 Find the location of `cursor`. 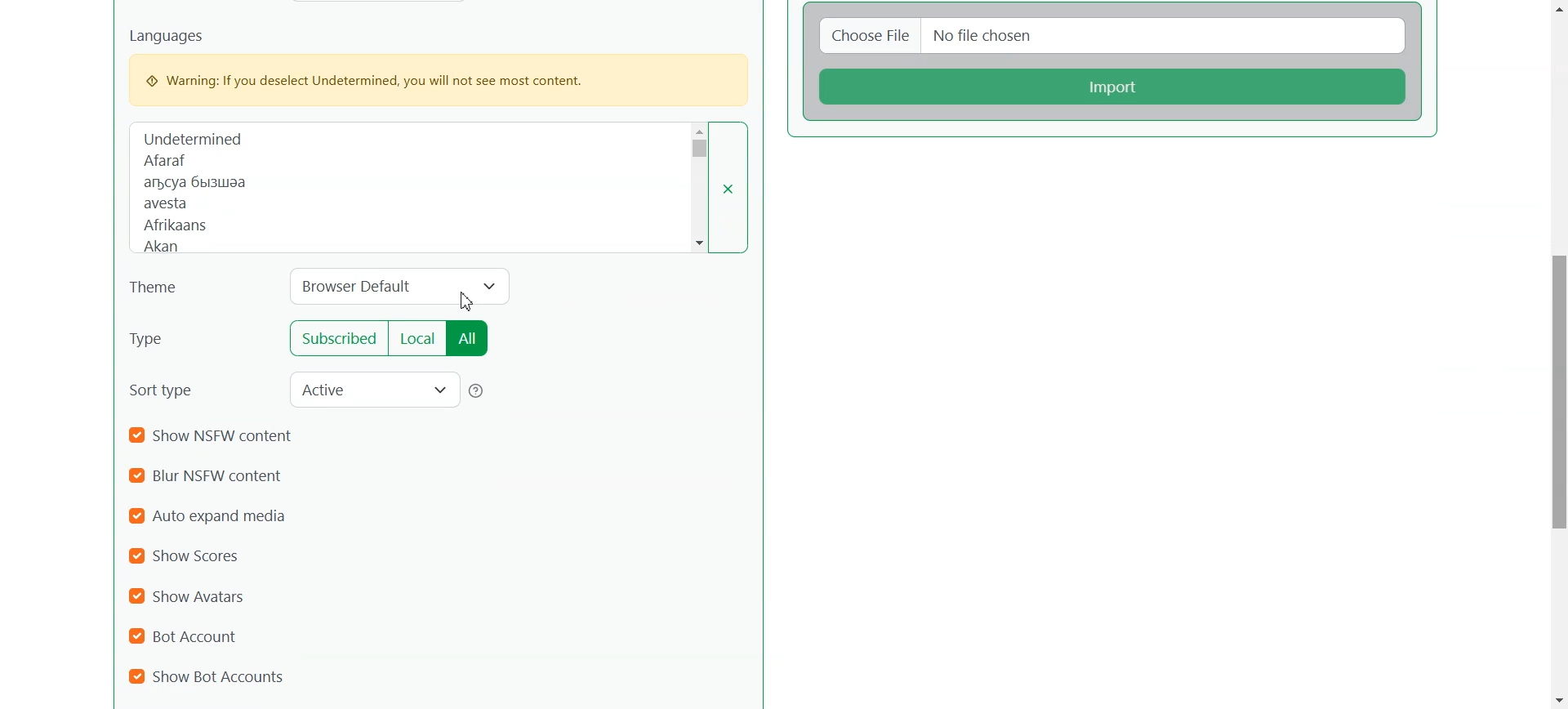

cursor is located at coordinates (468, 298).